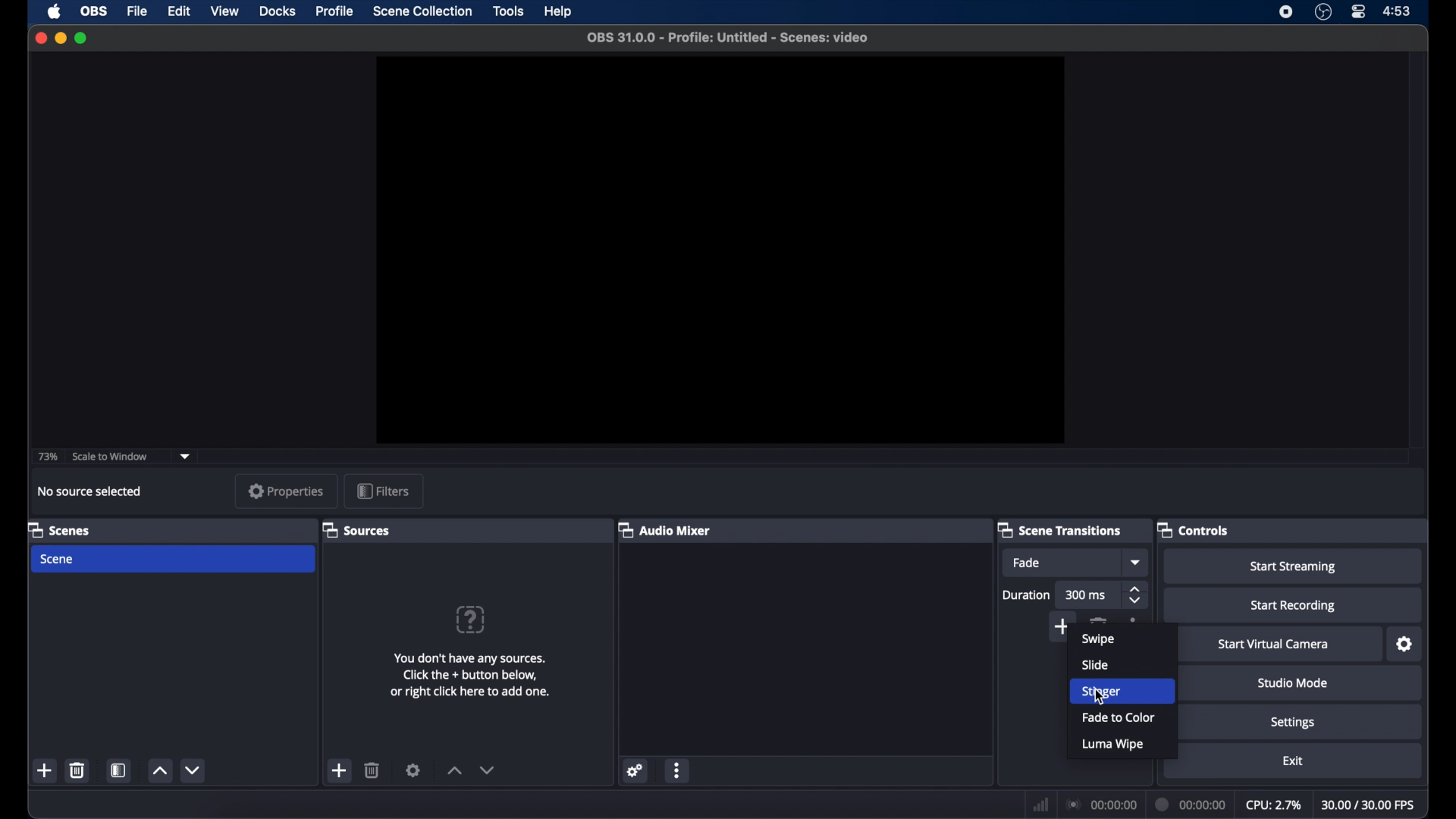 The image size is (1456, 819). What do you see at coordinates (286, 491) in the screenshot?
I see `properties` at bounding box center [286, 491].